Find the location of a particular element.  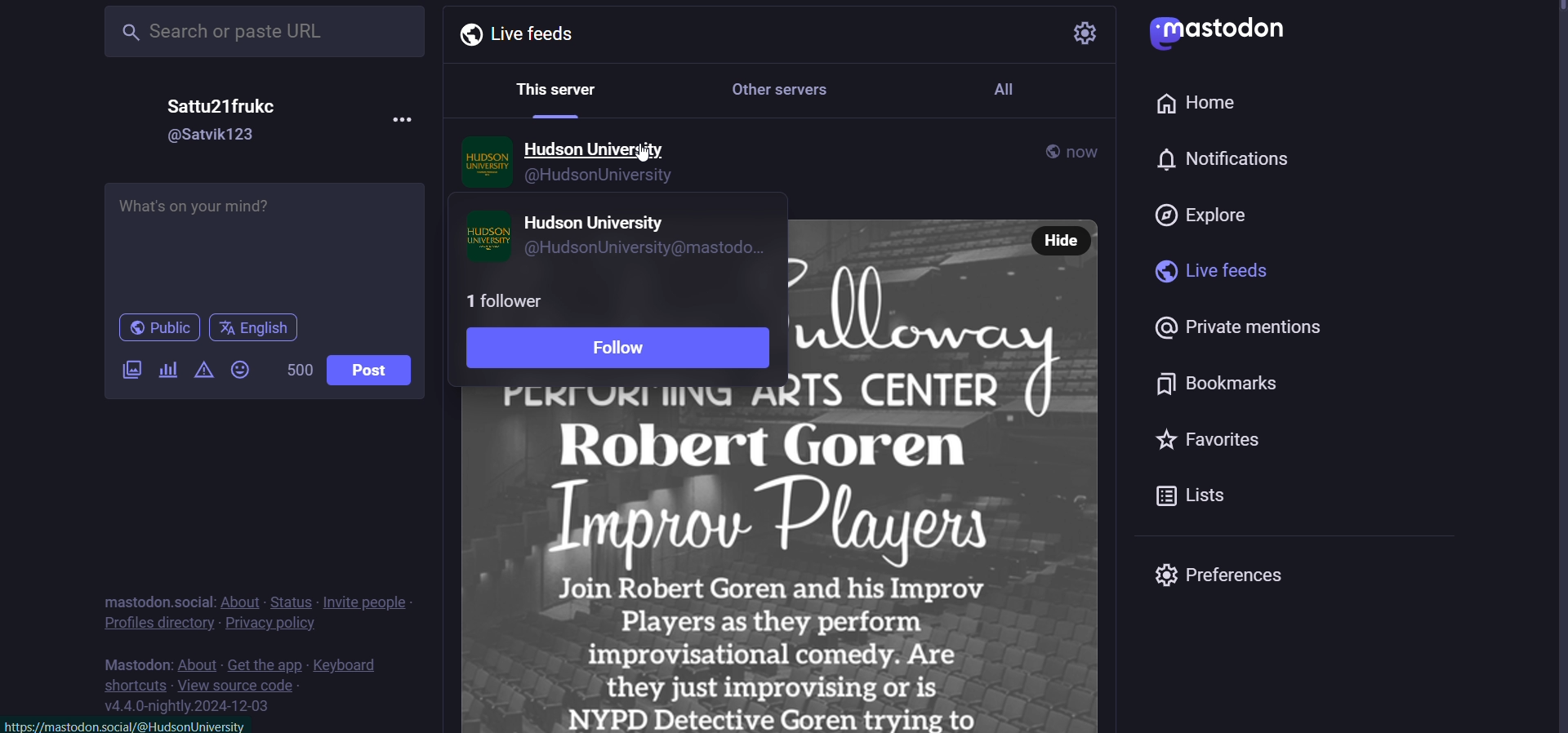

home is located at coordinates (1197, 104).